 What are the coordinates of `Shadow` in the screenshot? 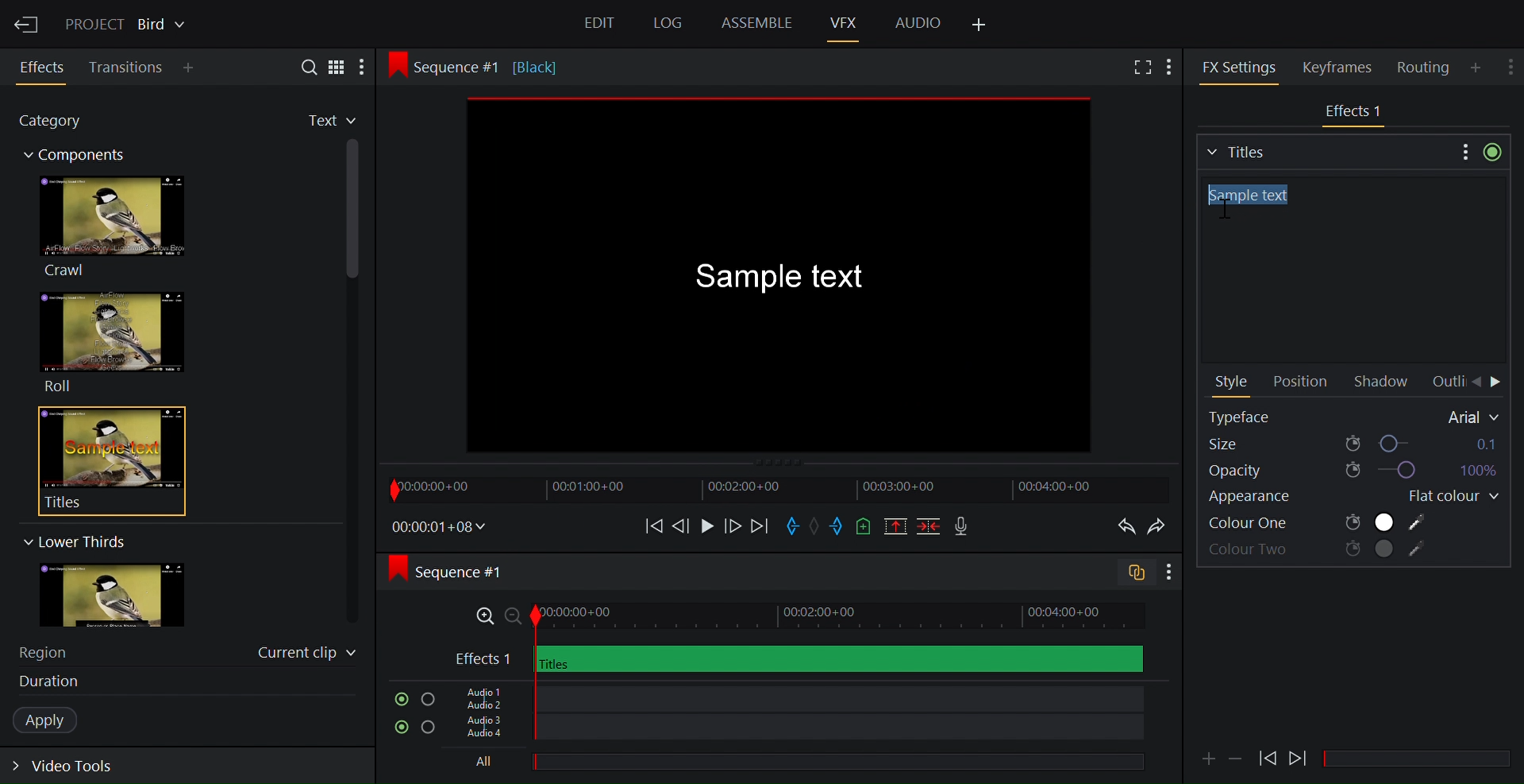 It's located at (1385, 382).